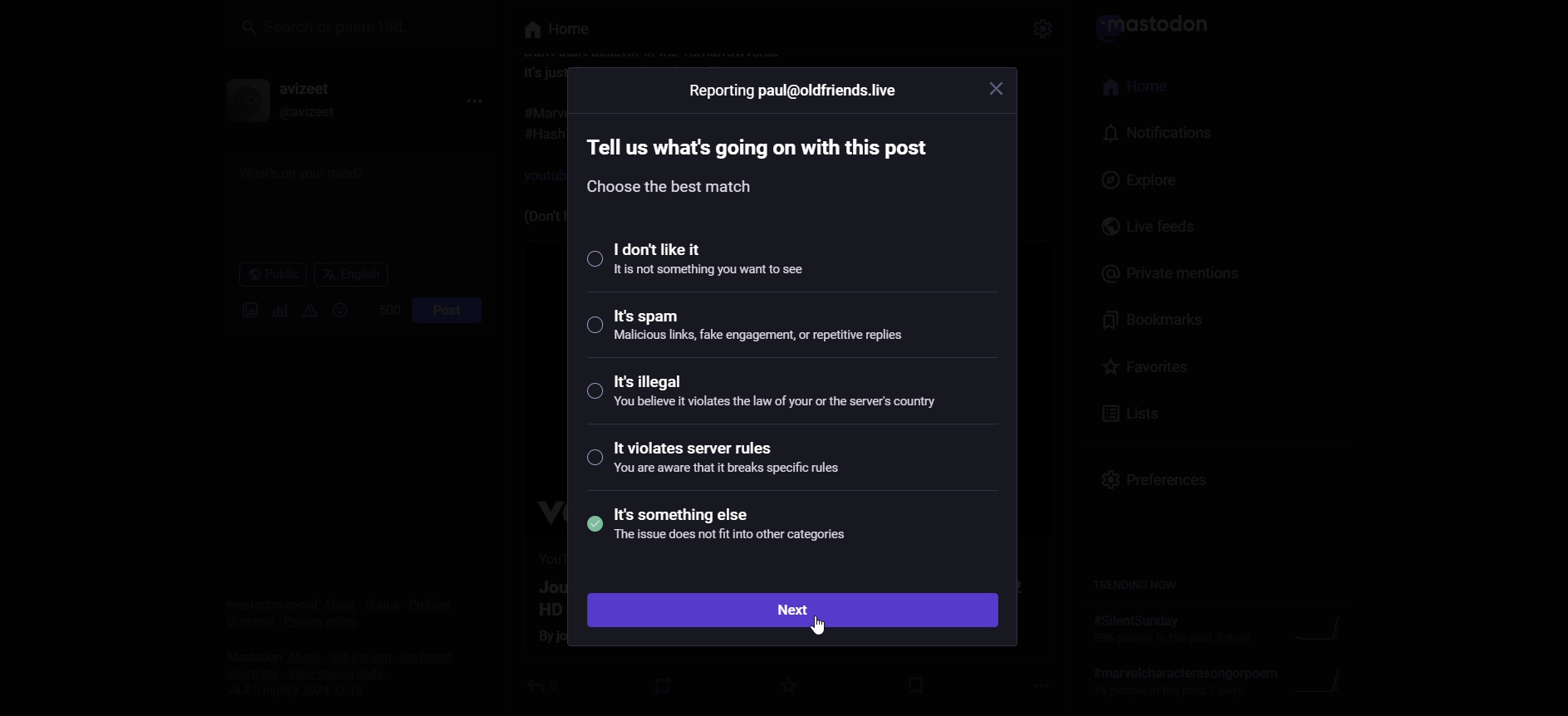 The image size is (1568, 716). Describe the element at coordinates (716, 525) in the screenshot. I see `its something else selected` at that location.